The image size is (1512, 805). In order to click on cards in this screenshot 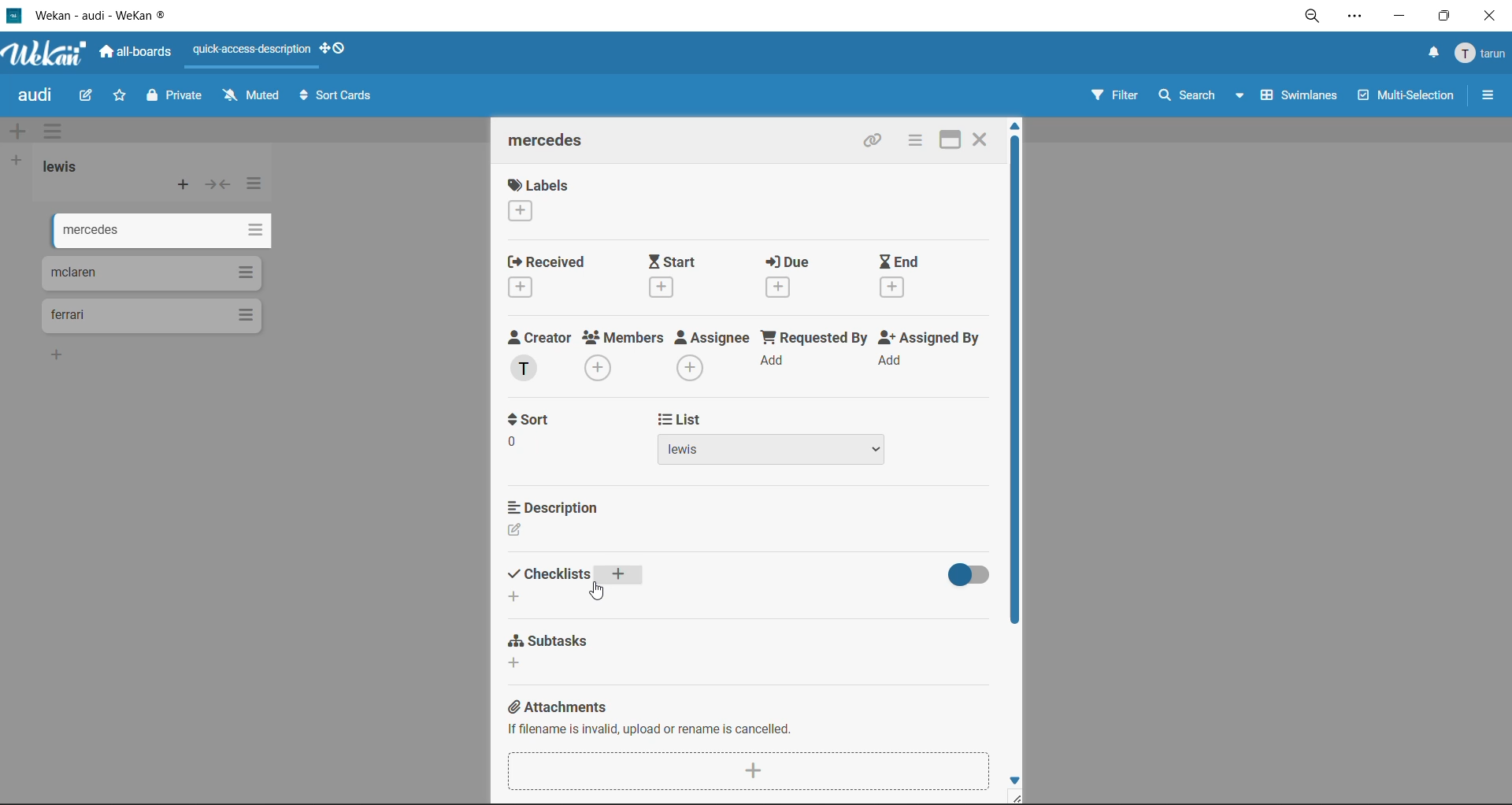, I will do `click(150, 273)`.